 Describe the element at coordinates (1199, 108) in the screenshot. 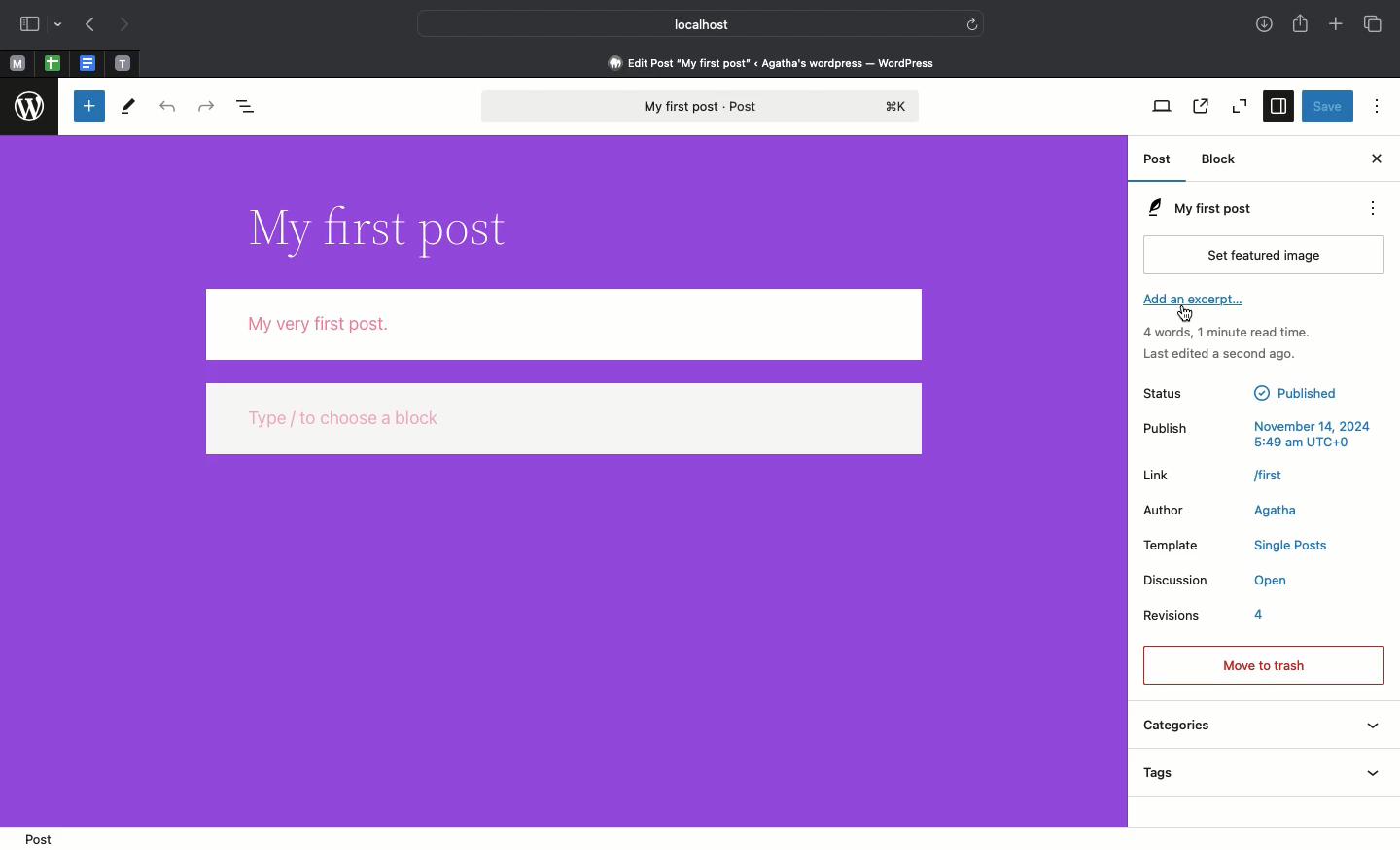

I see `View post` at that location.